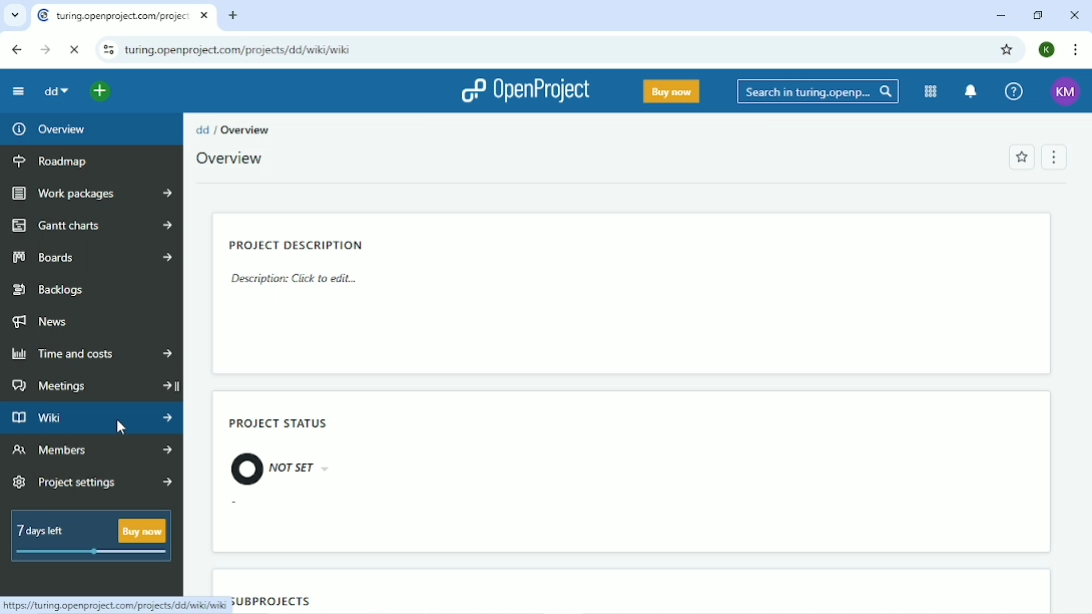 Image resolution: width=1092 pixels, height=614 pixels. What do you see at coordinates (281, 451) in the screenshot?
I see `Project status` at bounding box center [281, 451].